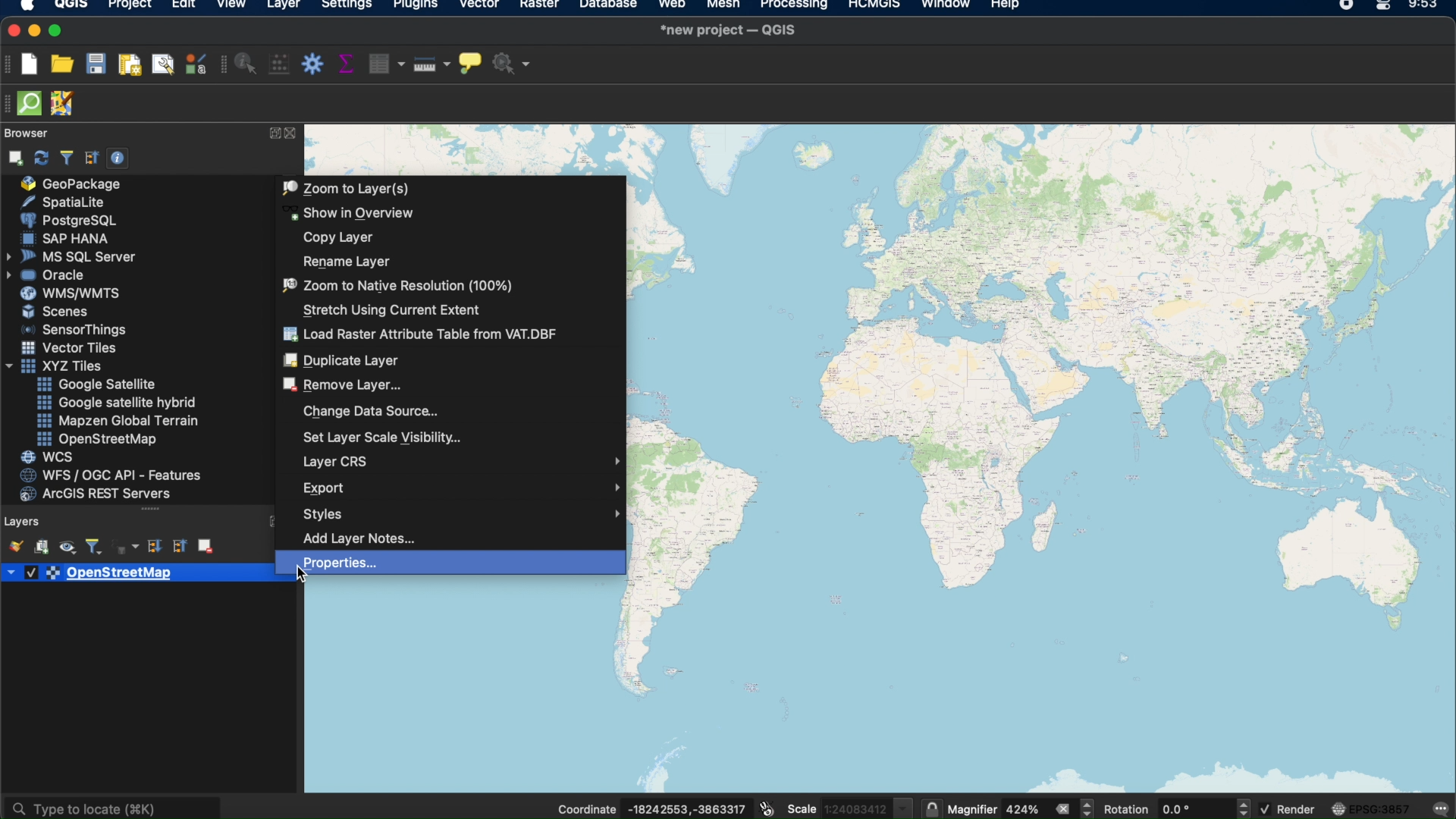 The image size is (1456, 819). What do you see at coordinates (33, 30) in the screenshot?
I see `minimize` at bounding box center [33, 30].